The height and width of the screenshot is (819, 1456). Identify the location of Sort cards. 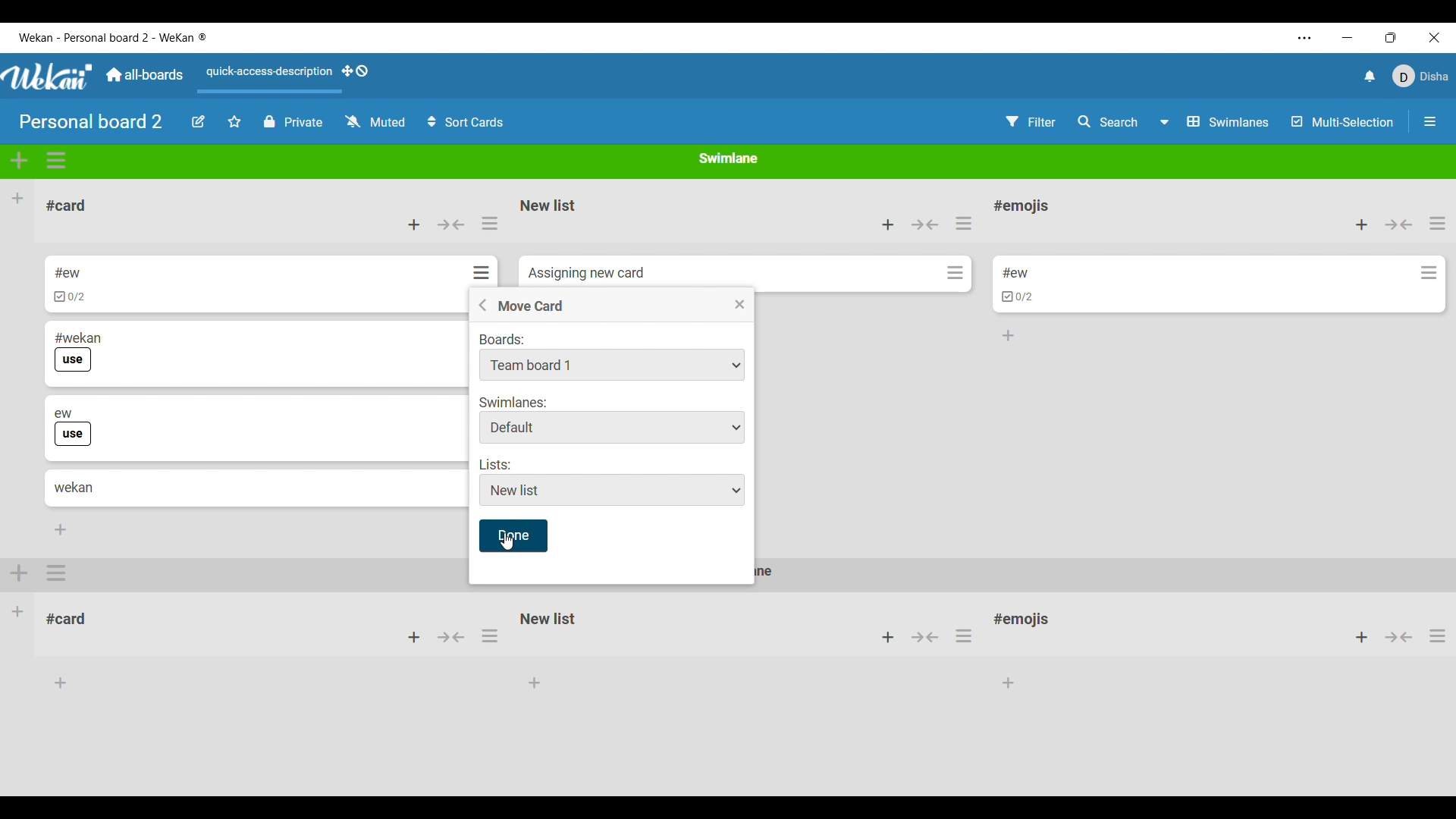
(465, 122).